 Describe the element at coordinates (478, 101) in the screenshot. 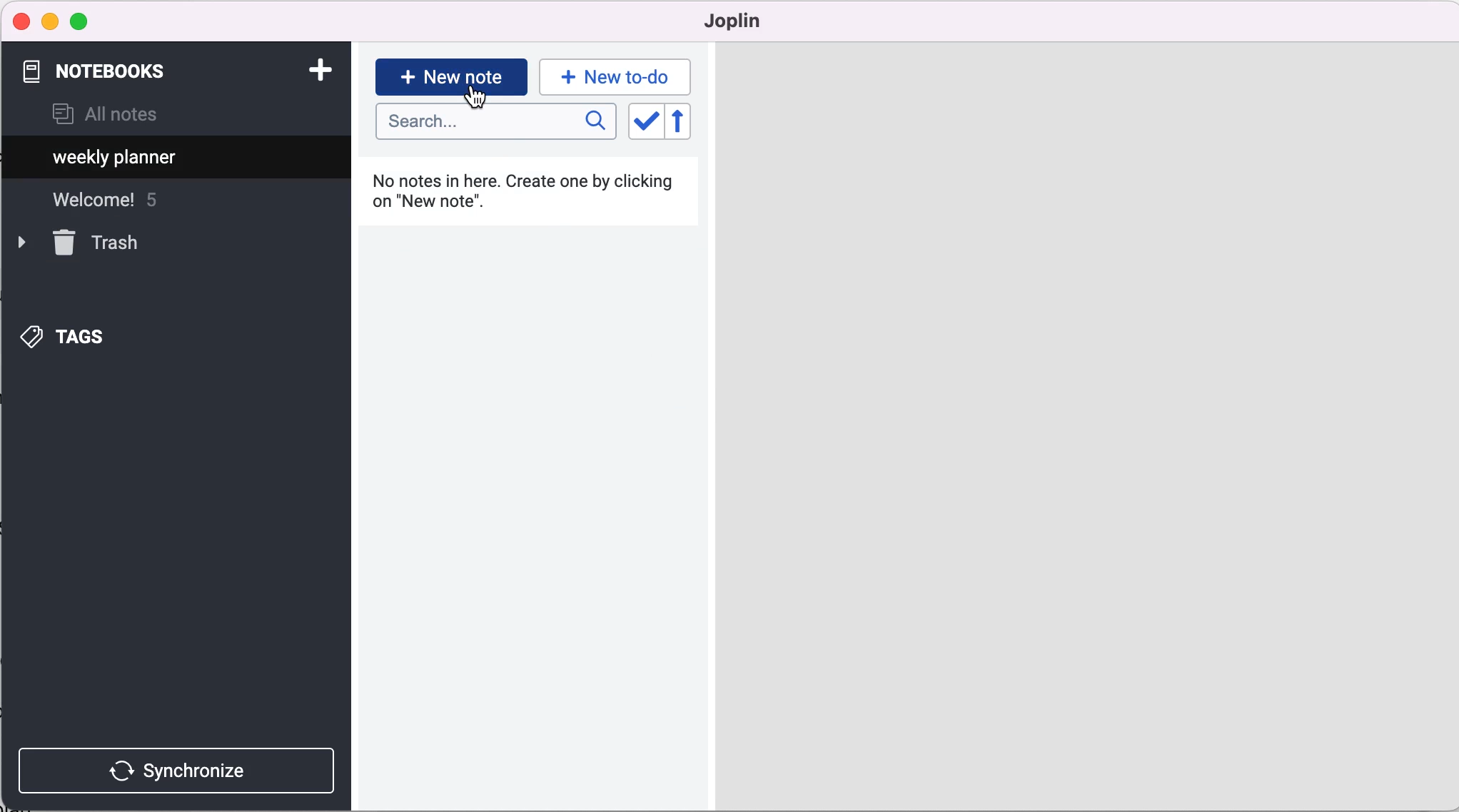

I see `cursor` at that location.